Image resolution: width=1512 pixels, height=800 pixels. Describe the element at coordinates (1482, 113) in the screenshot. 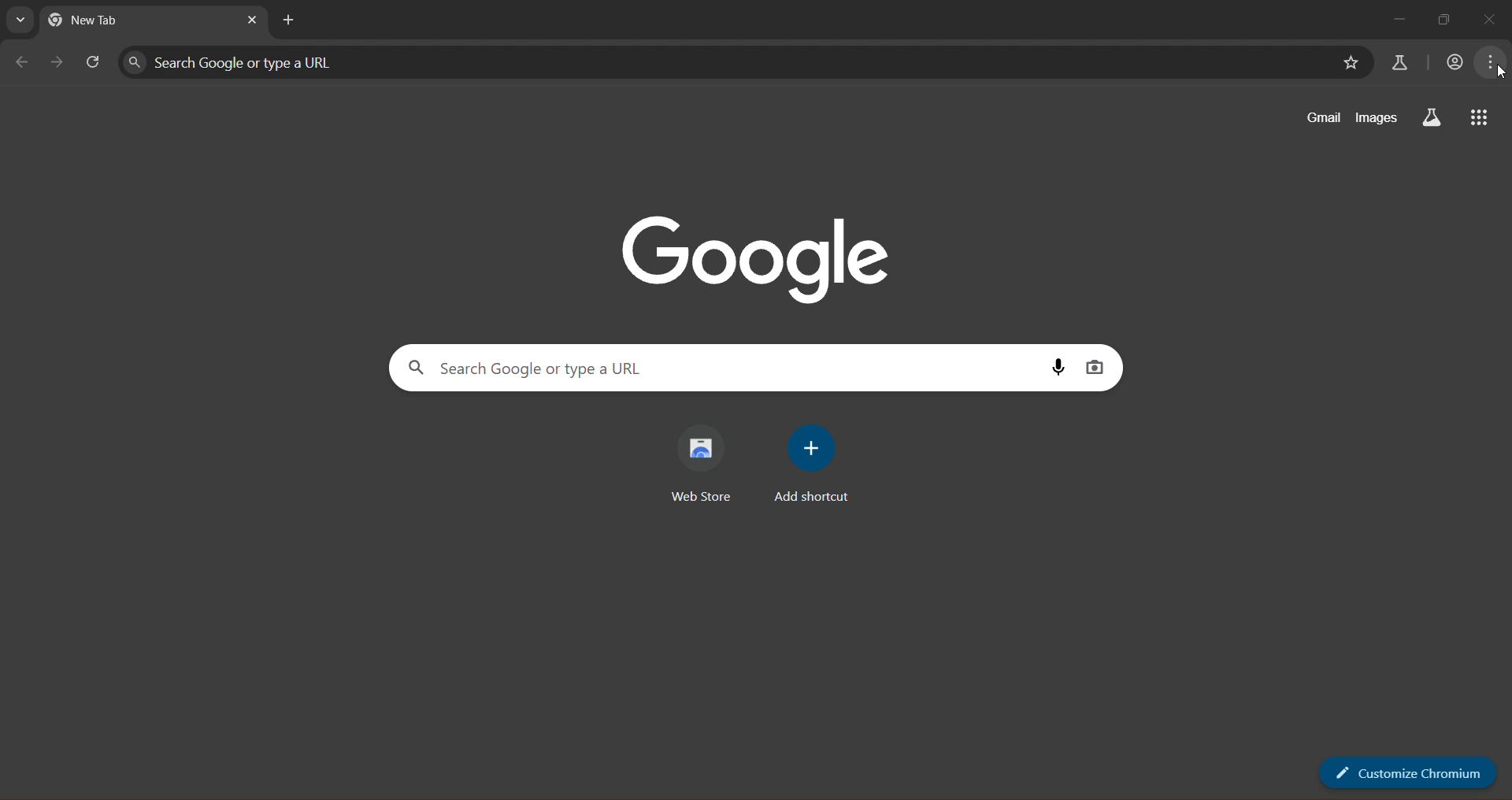

I see `google apps` at that location.